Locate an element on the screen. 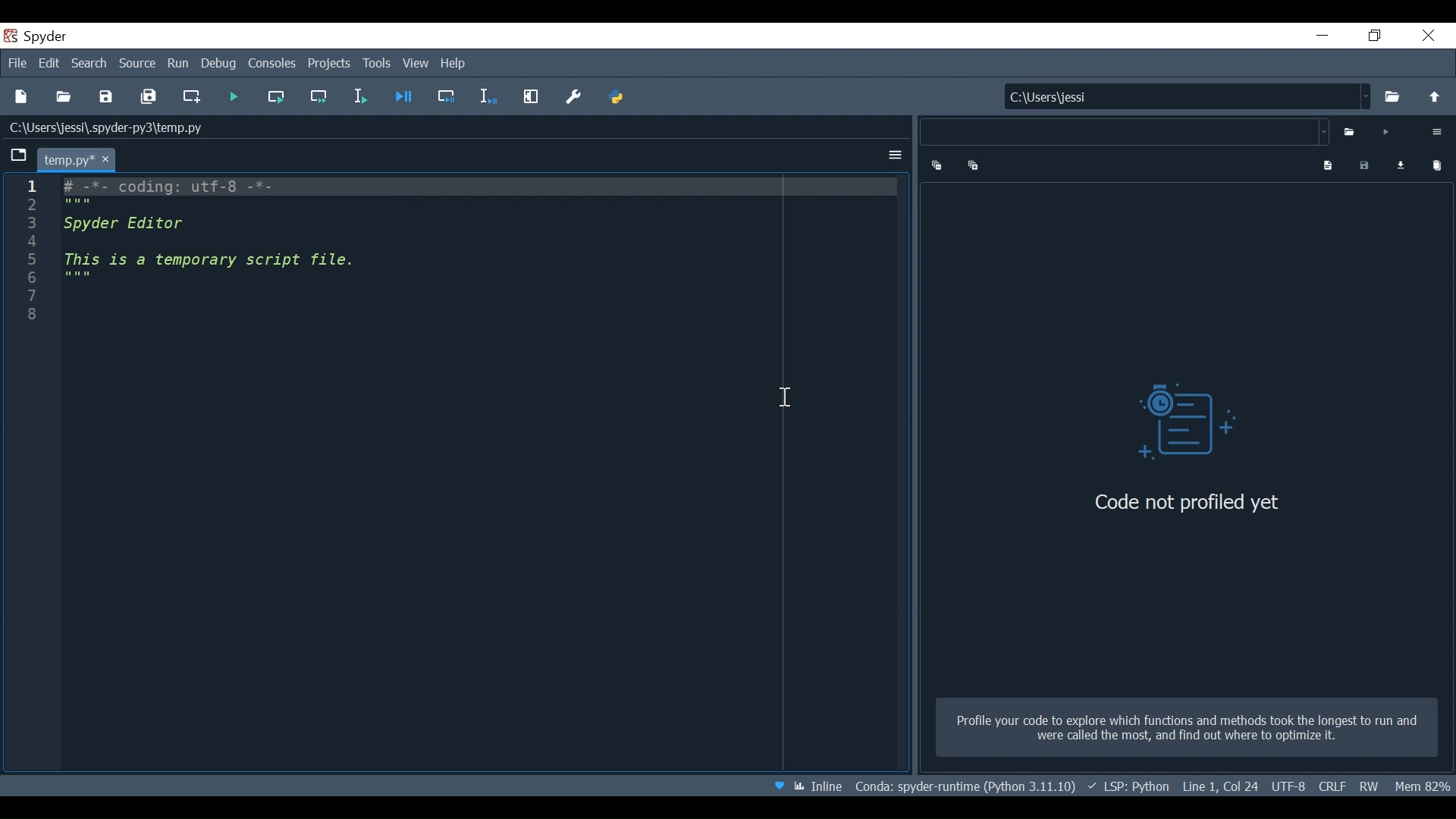 This screenshot has height=819, width=1456. Run current cell  is located at coordinates (277, 96).